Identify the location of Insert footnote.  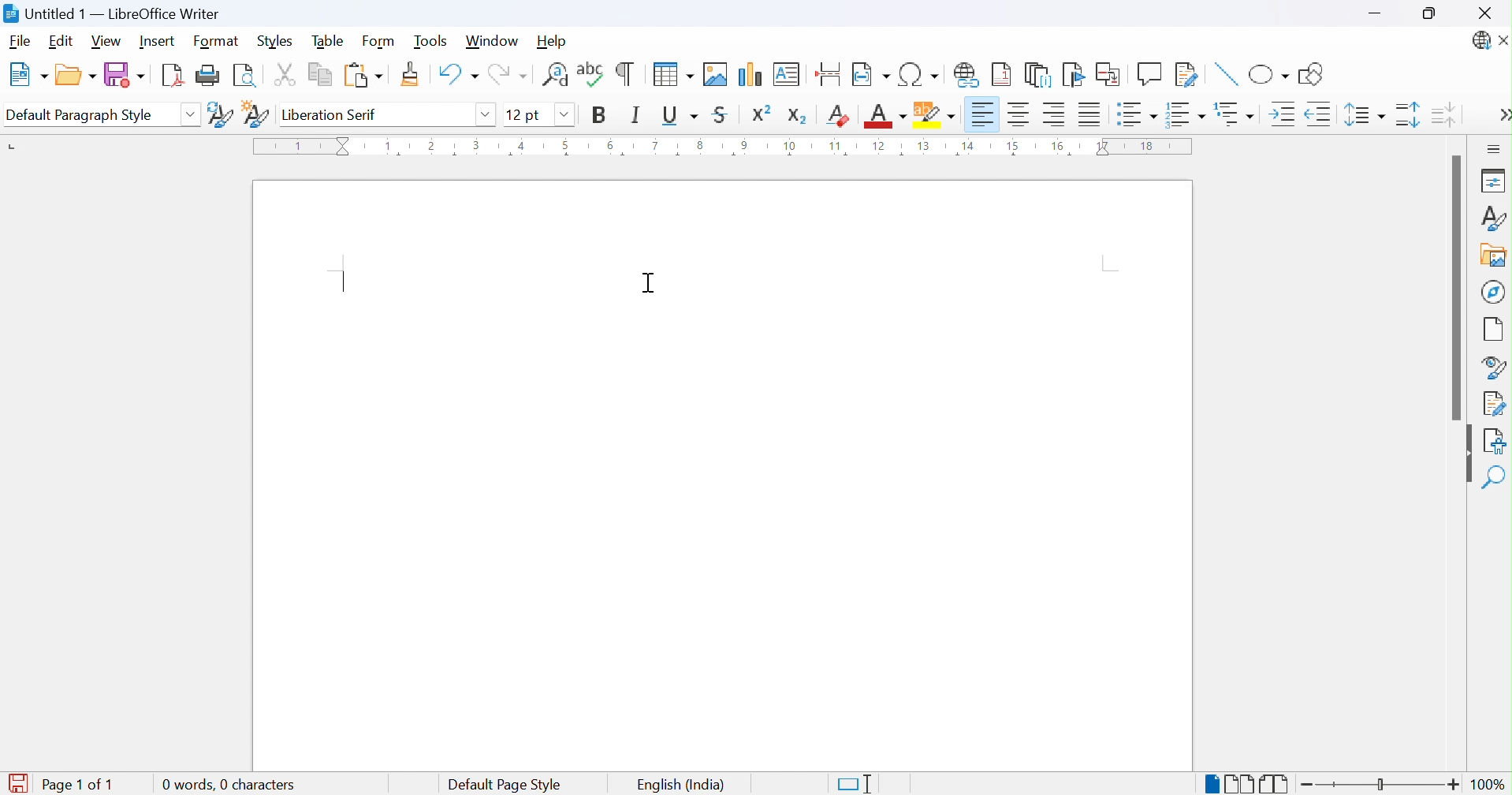
(1001, 76).